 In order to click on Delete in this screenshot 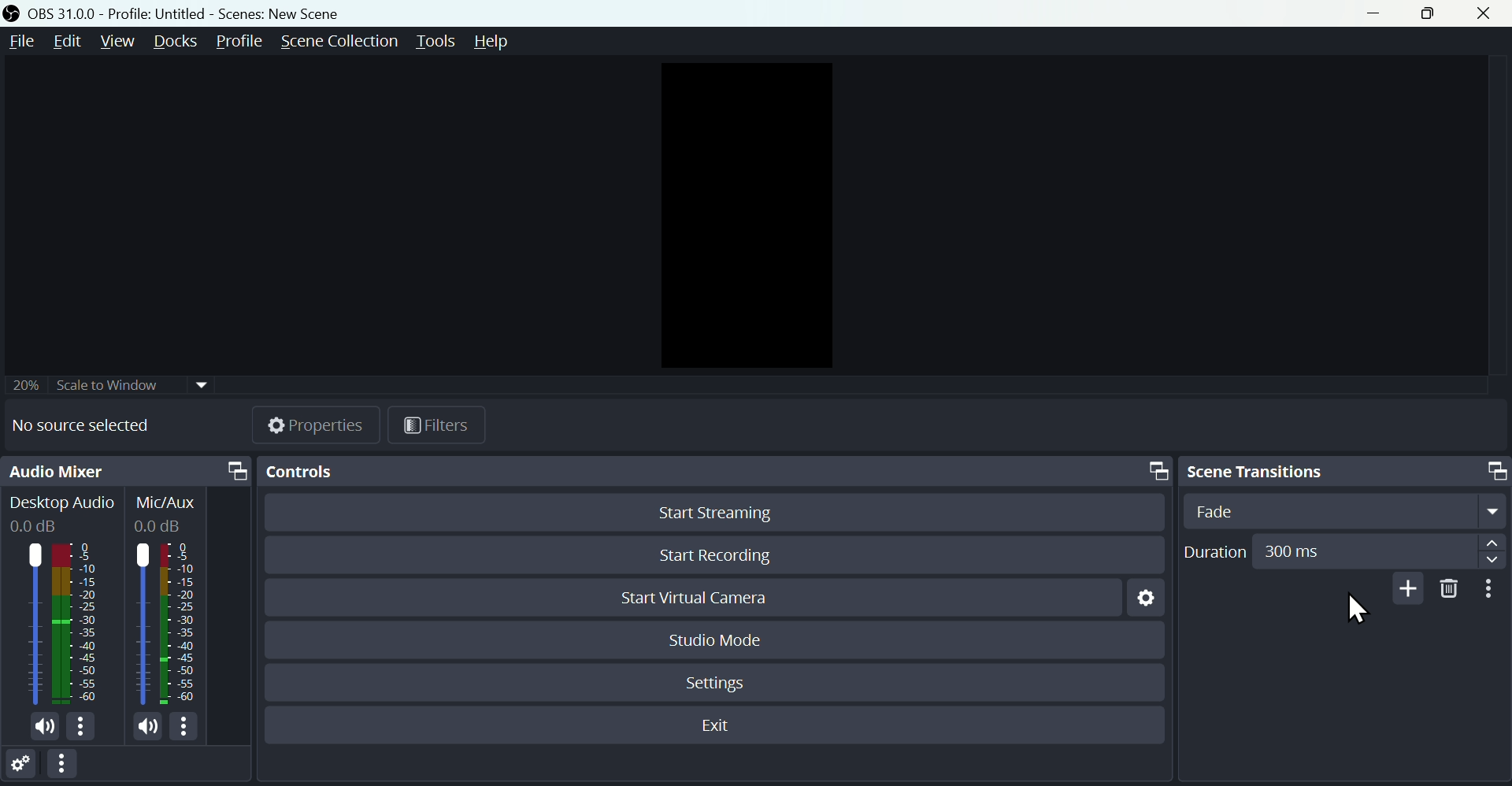, I will do `click(1451, 588)`.